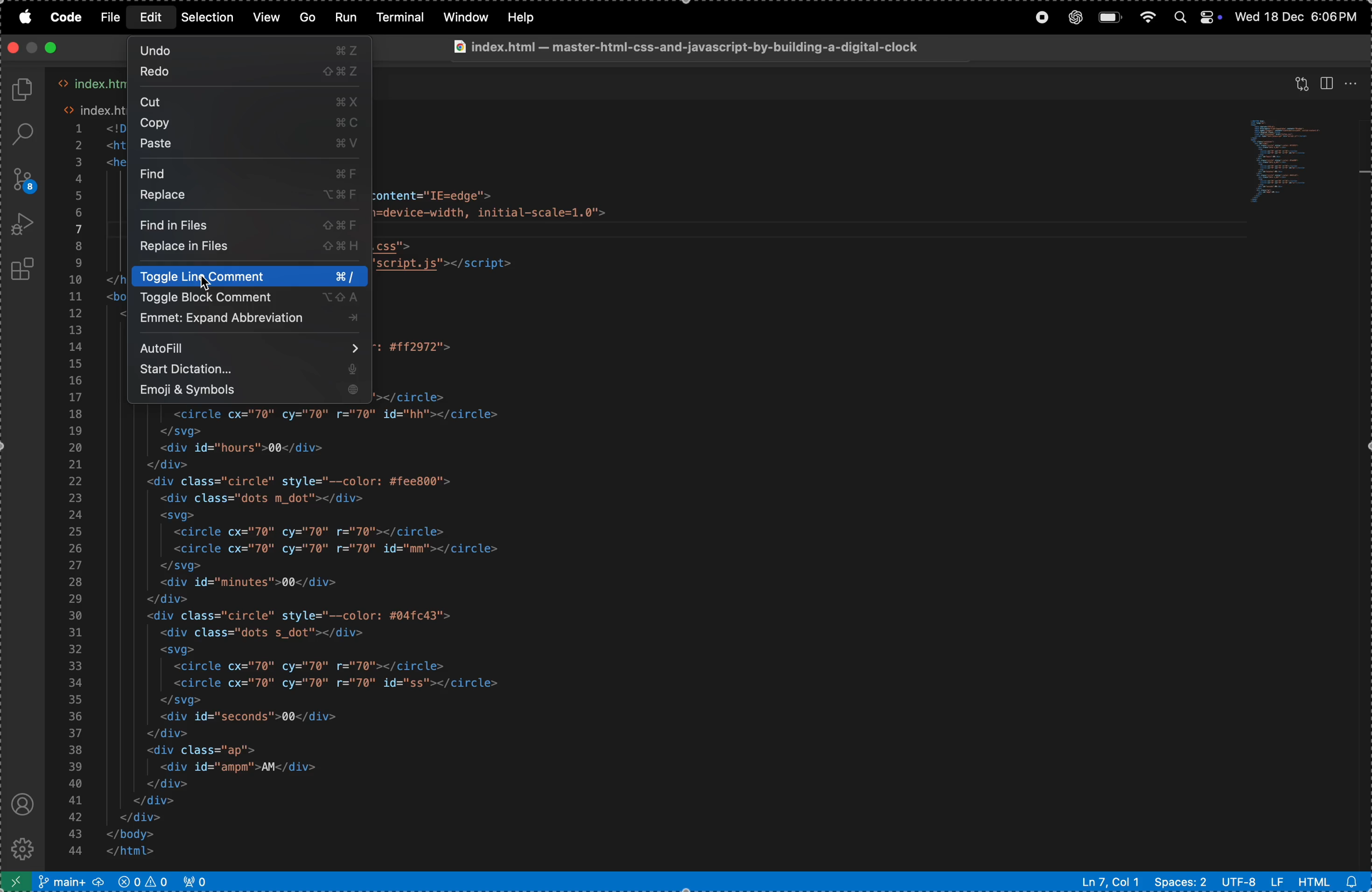 The width and height of the screenshot is (1372, 892). What do you see at coordinates (200, 881) in the screenshot?
I see `view port ` at bounding box center [200, 881].